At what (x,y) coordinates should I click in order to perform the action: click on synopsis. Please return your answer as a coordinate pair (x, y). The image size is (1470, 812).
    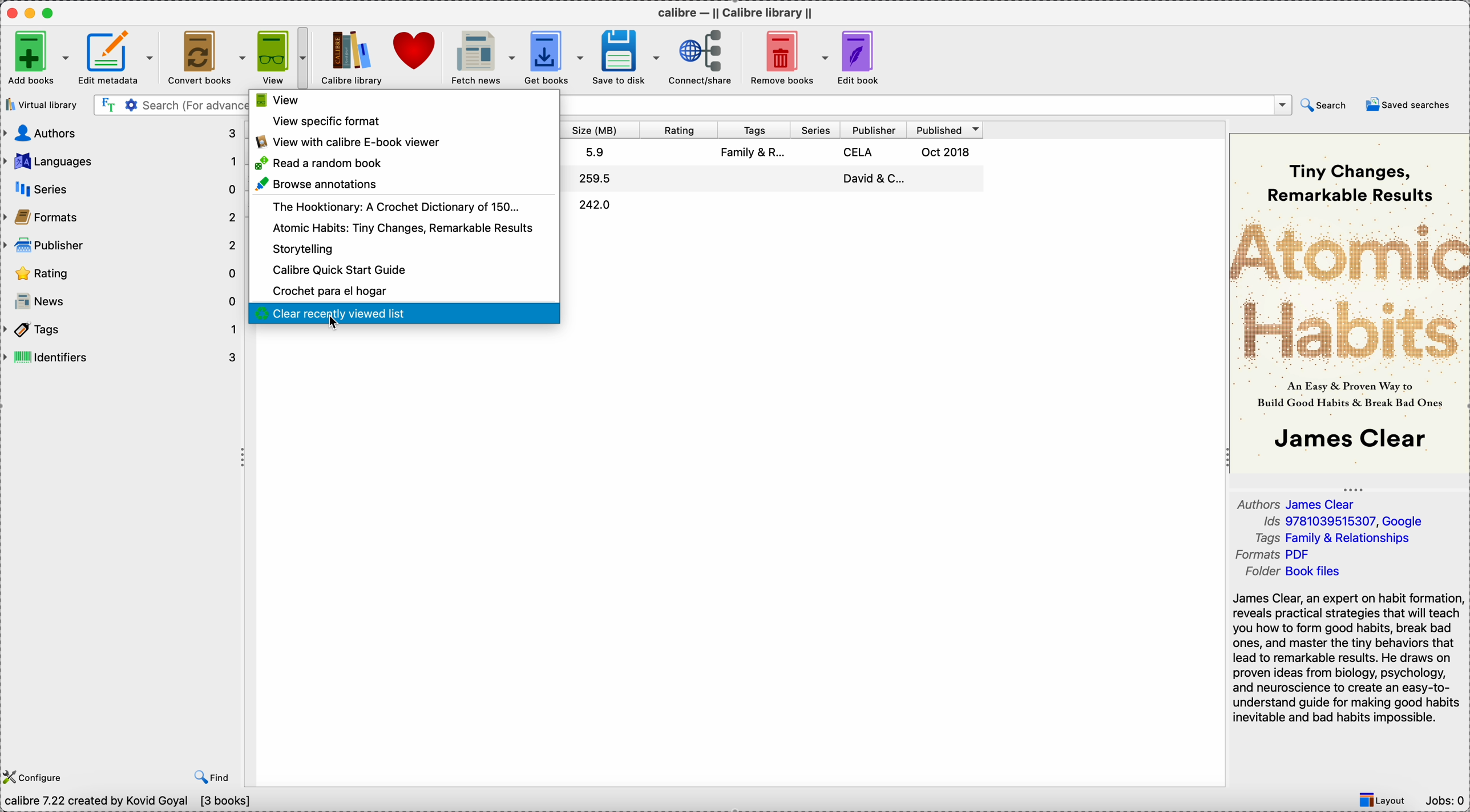
    Looking at the image, I should click on (1348, 661).